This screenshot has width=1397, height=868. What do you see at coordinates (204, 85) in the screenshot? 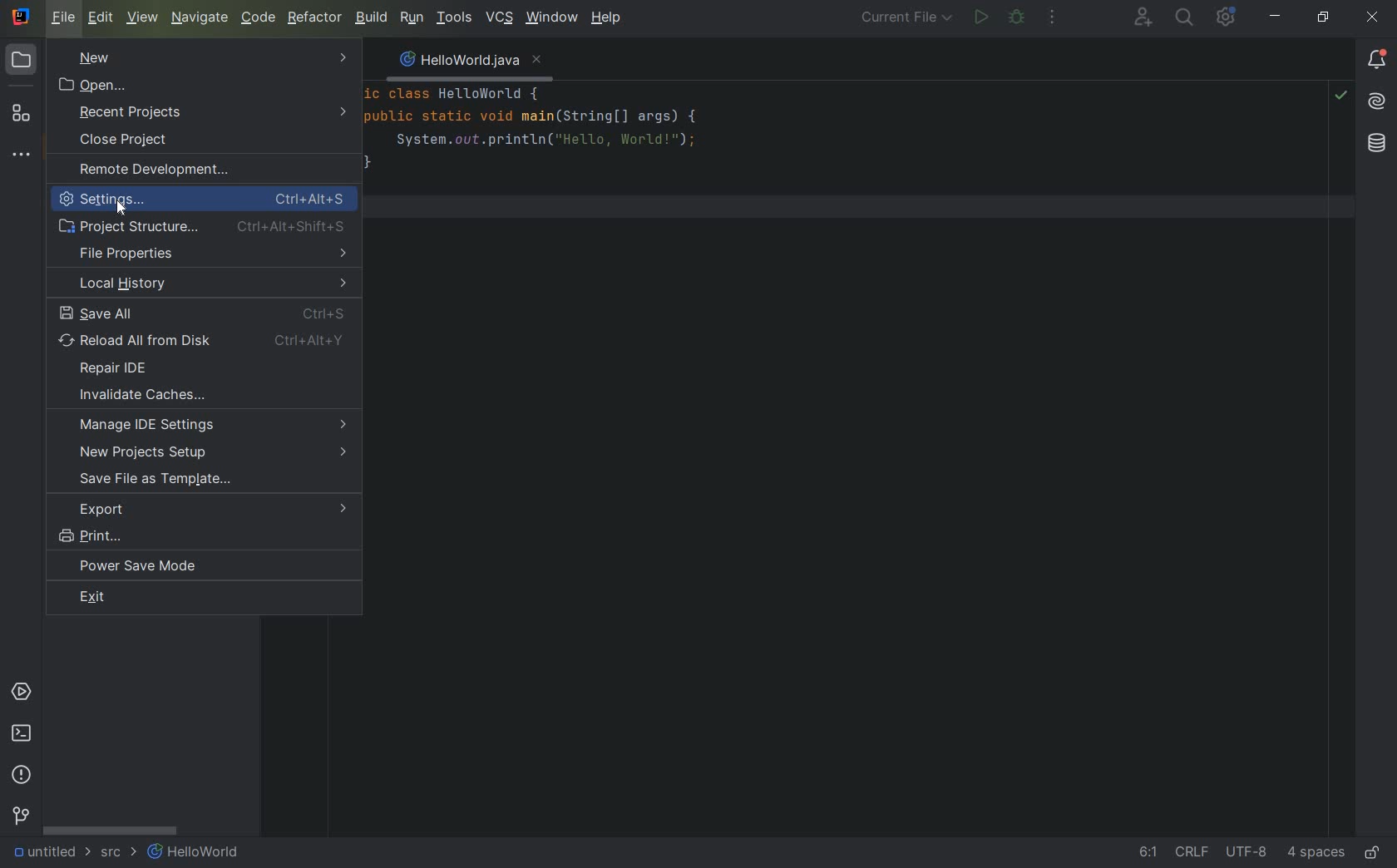
I see `OPEN` at bounding box center [204, 85].